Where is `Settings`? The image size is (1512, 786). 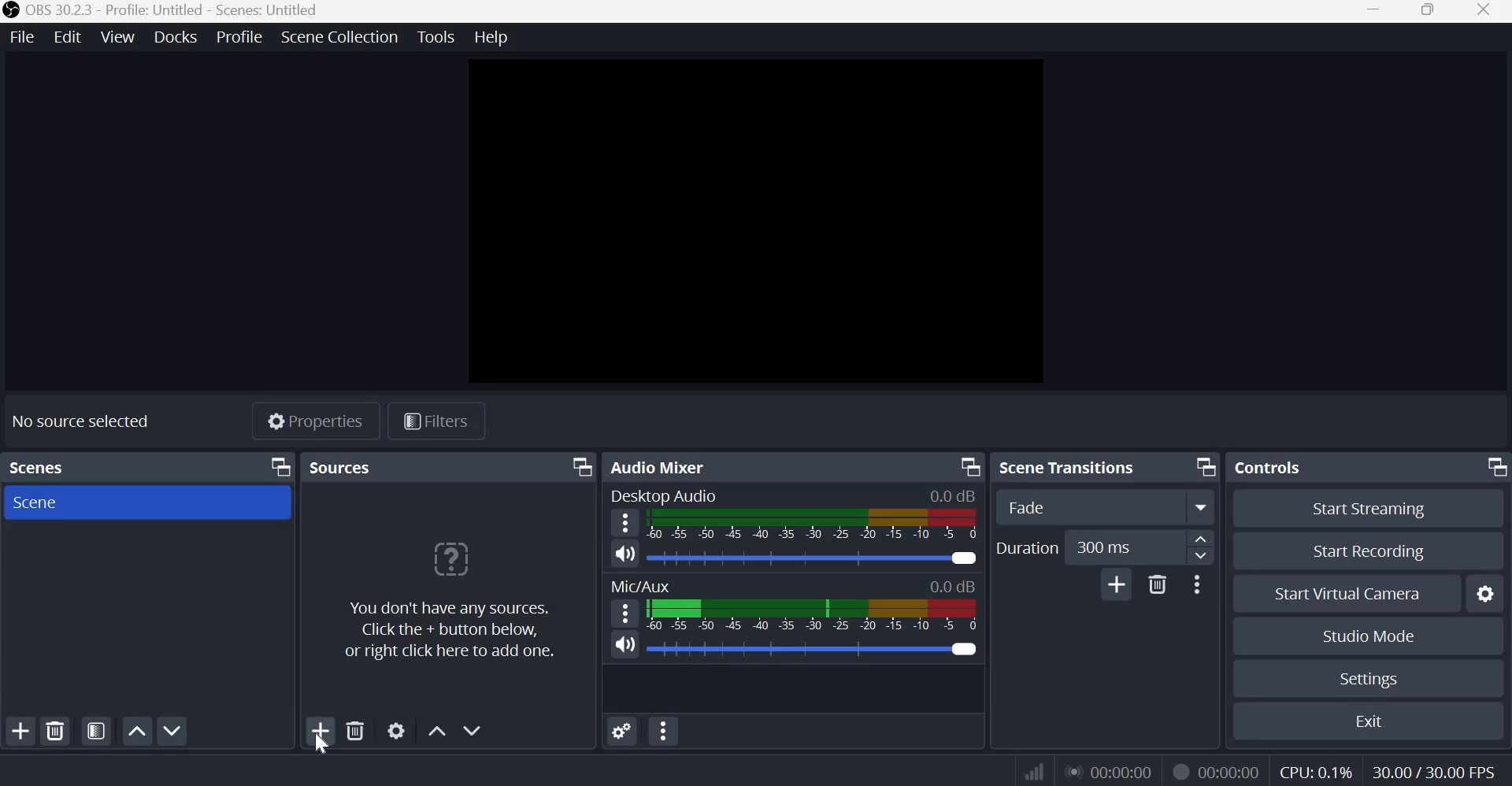 Settings is located at coordinates (1370, 679).